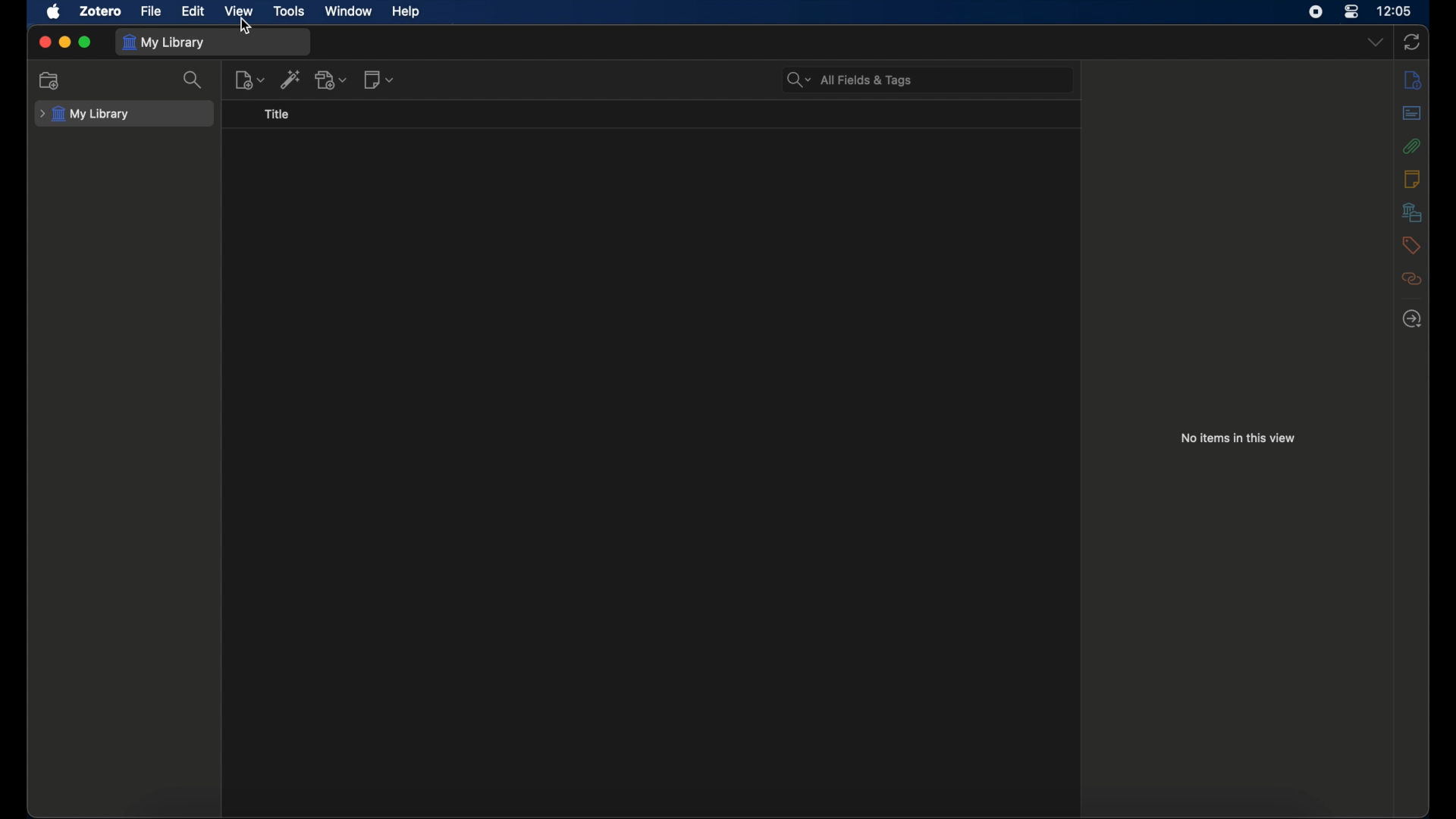 This screenshot has height=819, width=1456. What do you see at coordinates (240, 11) in the screenshot?
I see `view` at bounding box center [240, 11].